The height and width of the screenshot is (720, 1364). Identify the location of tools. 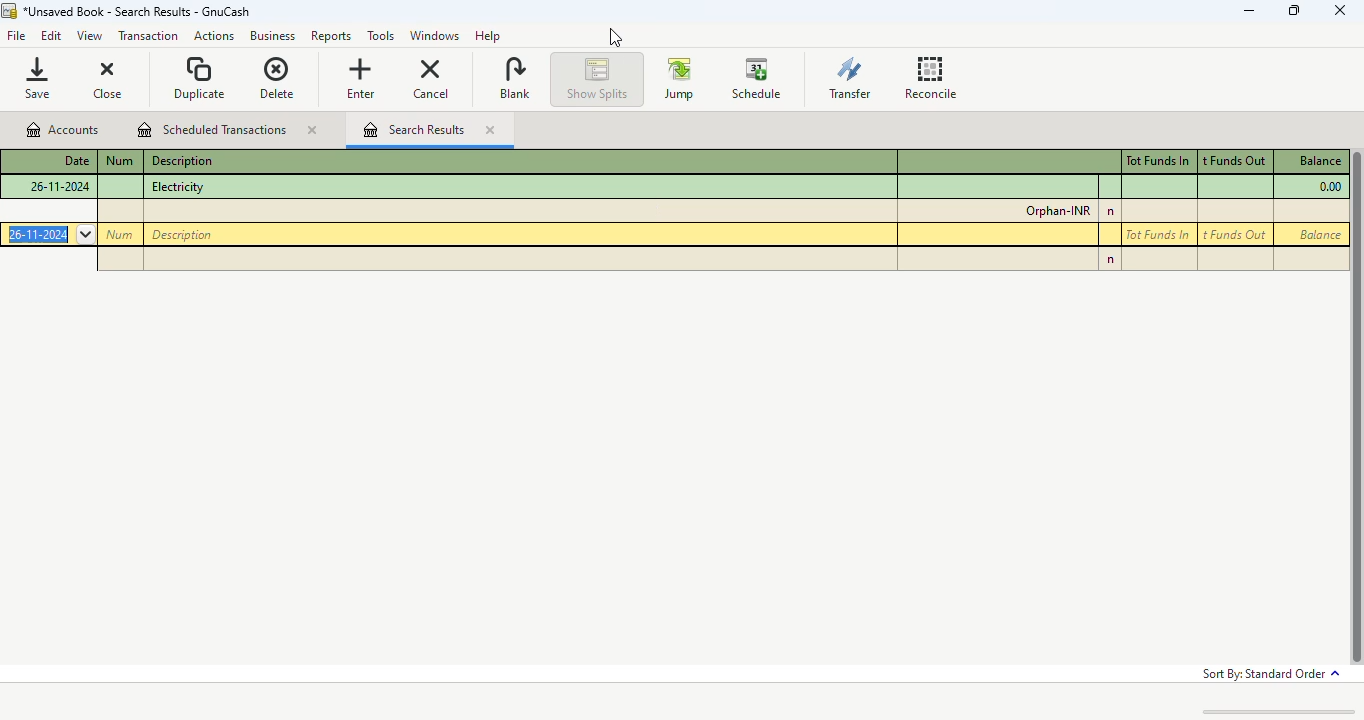
(377, 36).